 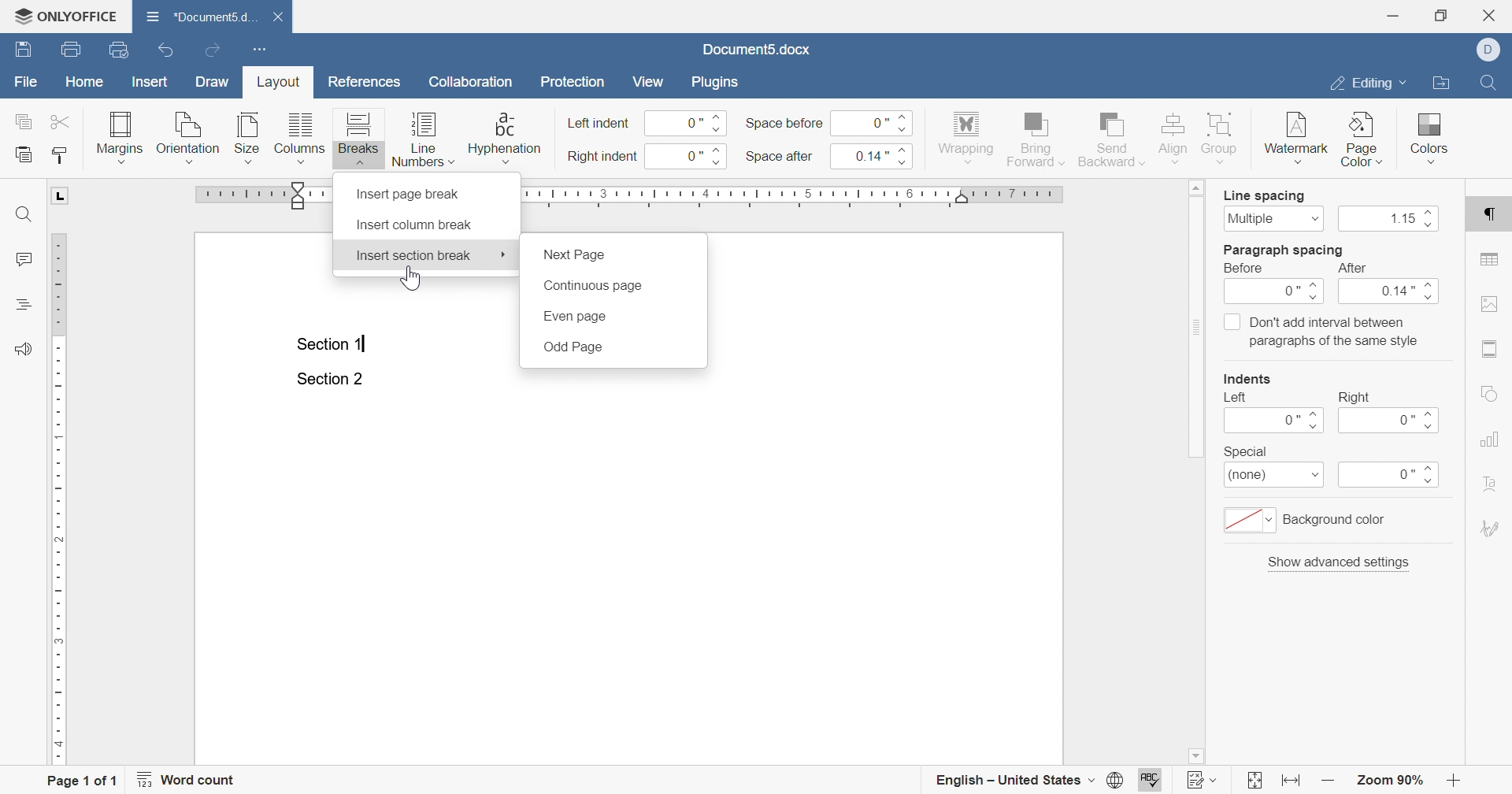 I want to click on document5.docx, so click(x=755, y=50).